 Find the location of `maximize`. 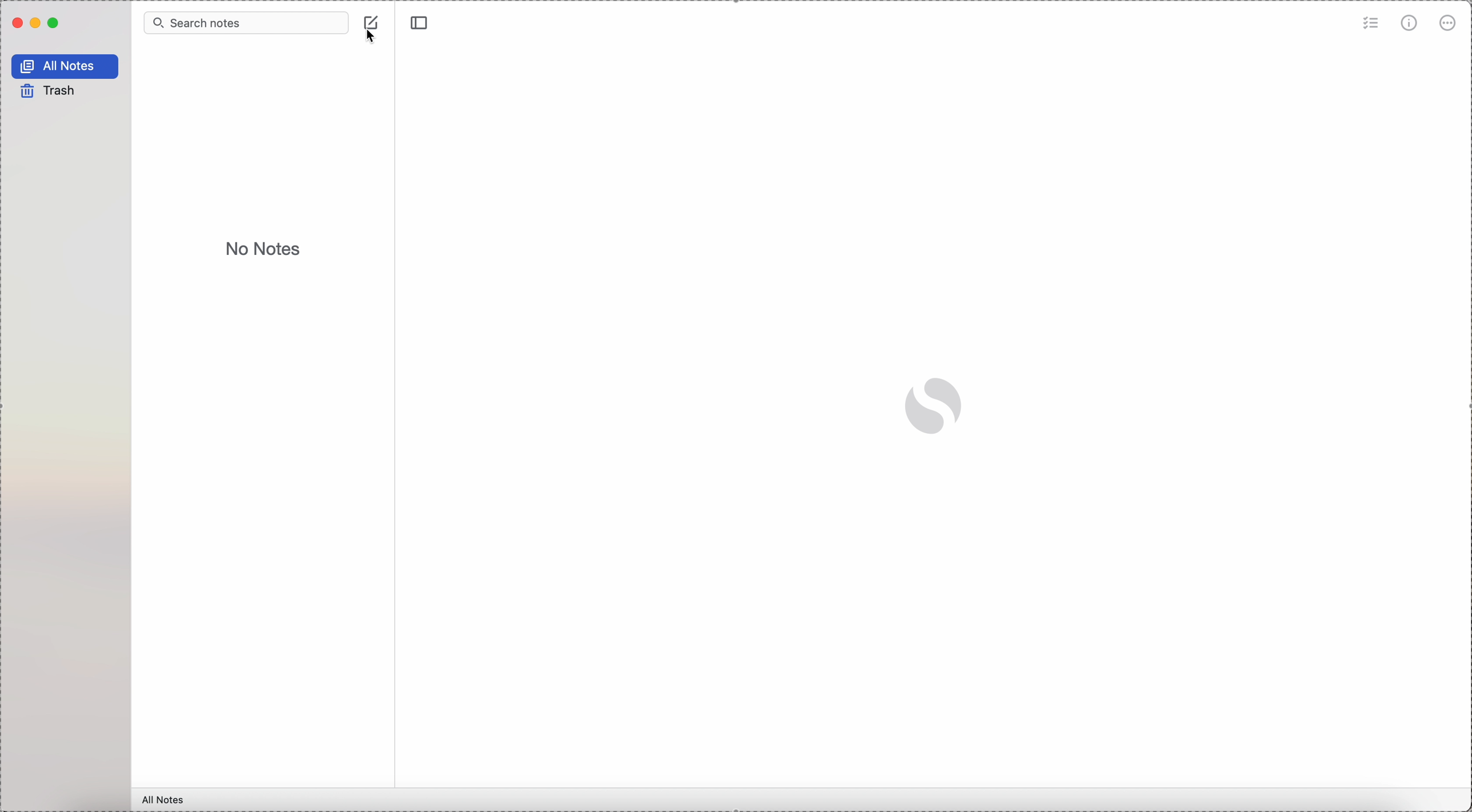

maximize is located at coordinates (54, 24).